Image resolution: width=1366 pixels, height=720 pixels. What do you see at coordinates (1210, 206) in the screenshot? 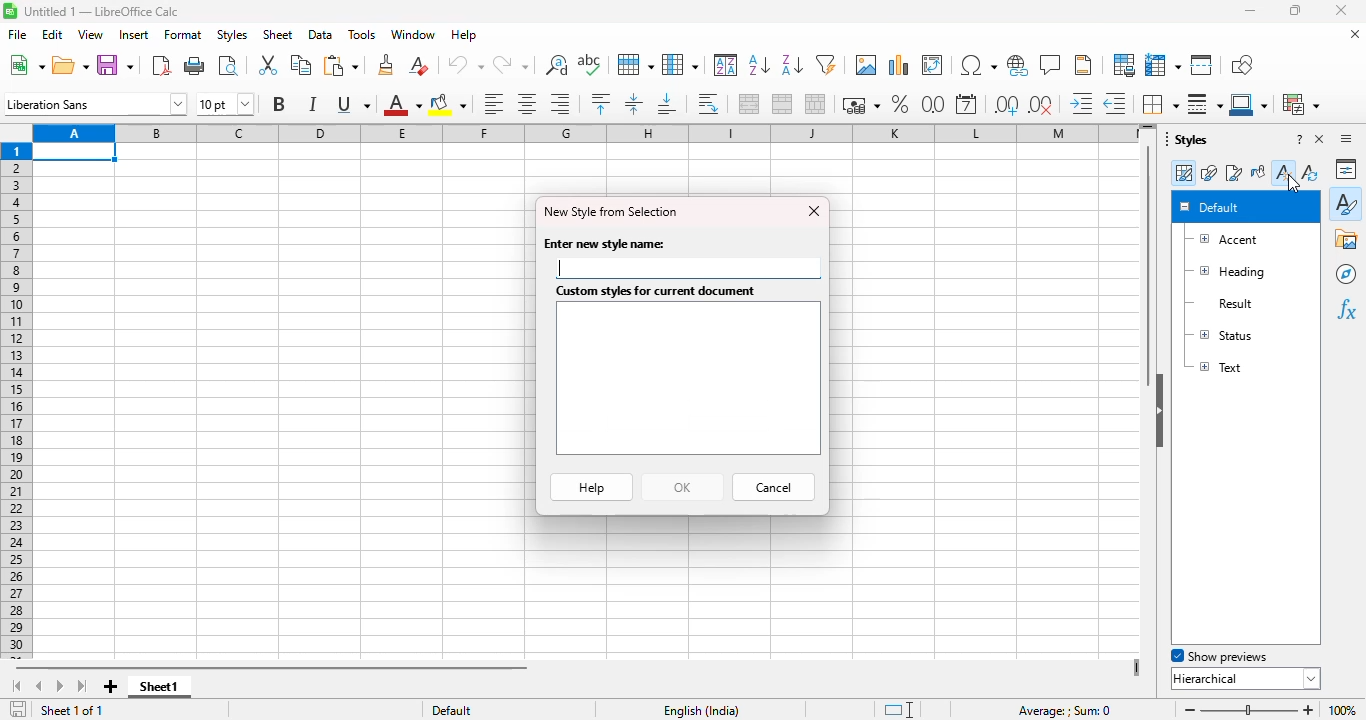
I see `default` at bounding box center [1210, 206].